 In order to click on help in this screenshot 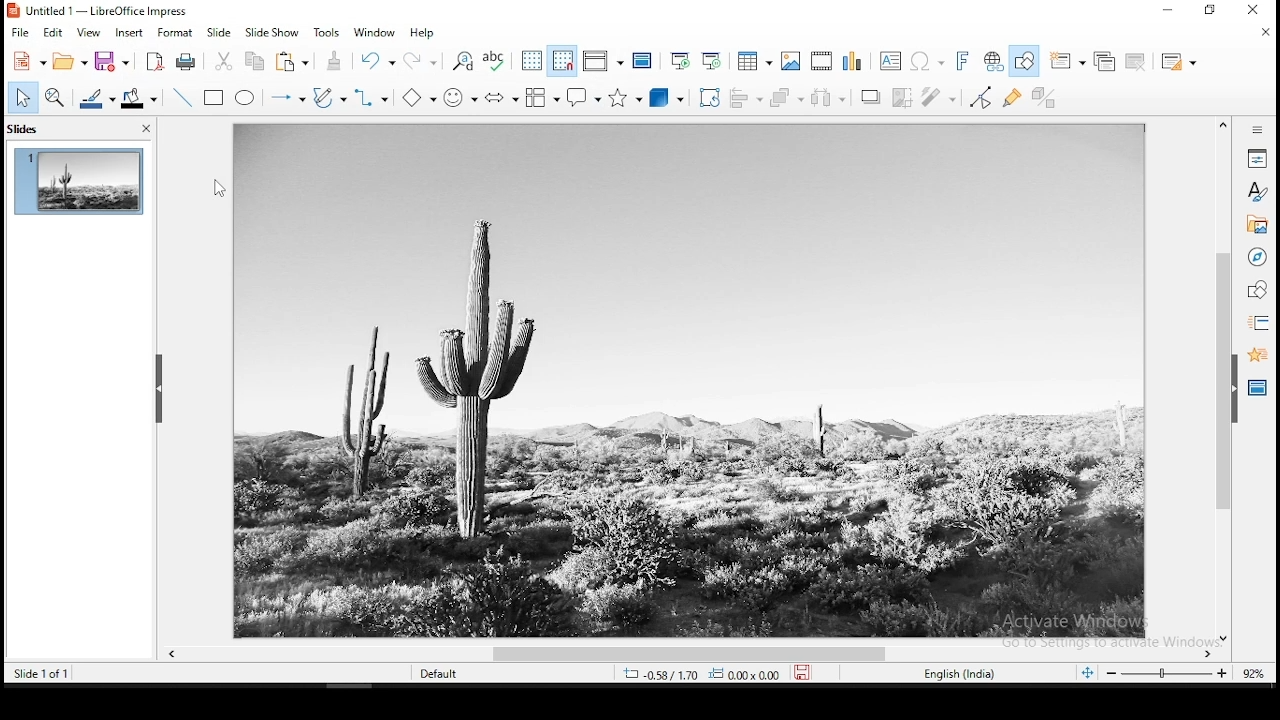, I will do `click(424, 36)`.